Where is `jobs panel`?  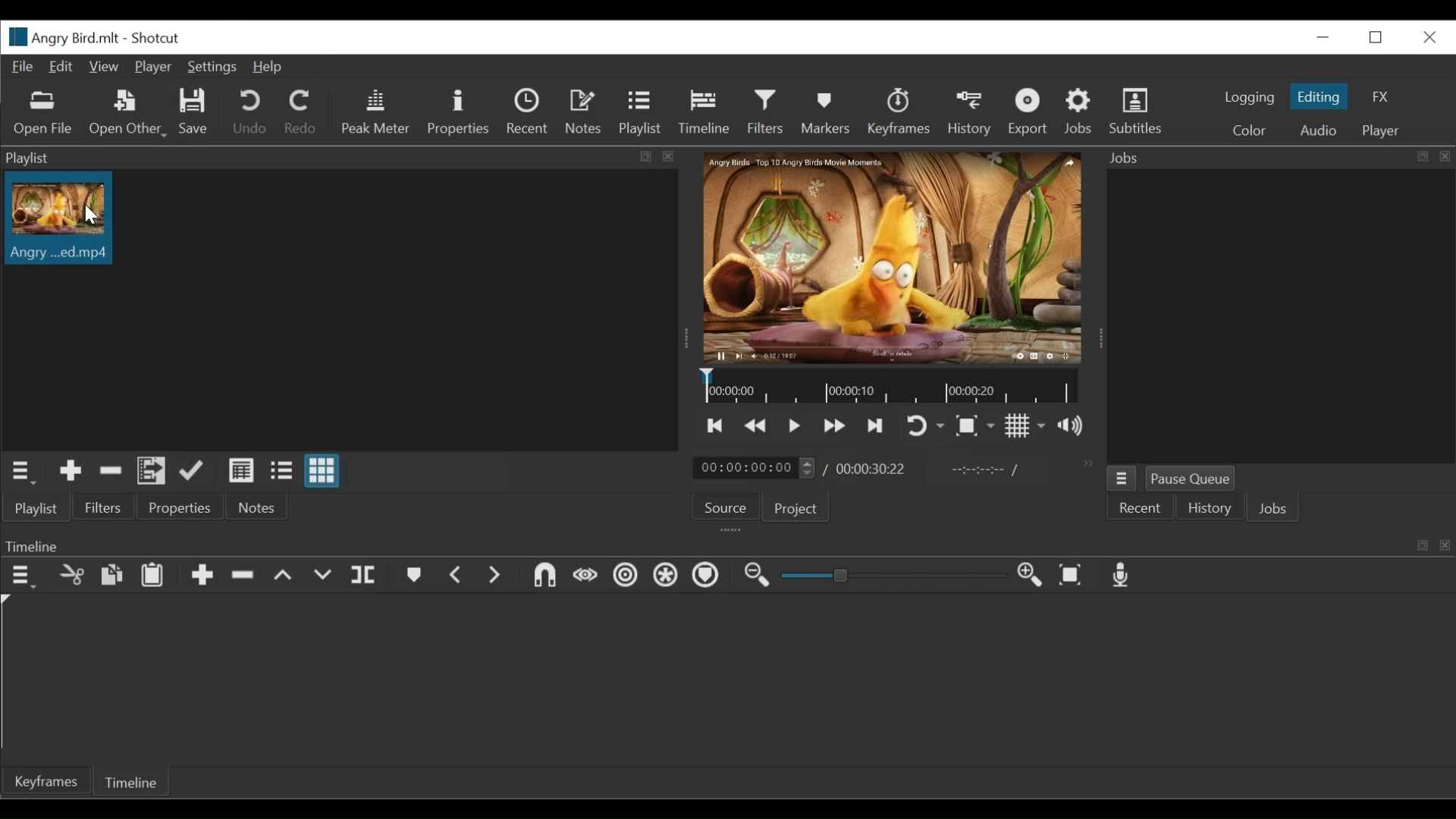
jobs panel is located at coordinates (1282, 318).